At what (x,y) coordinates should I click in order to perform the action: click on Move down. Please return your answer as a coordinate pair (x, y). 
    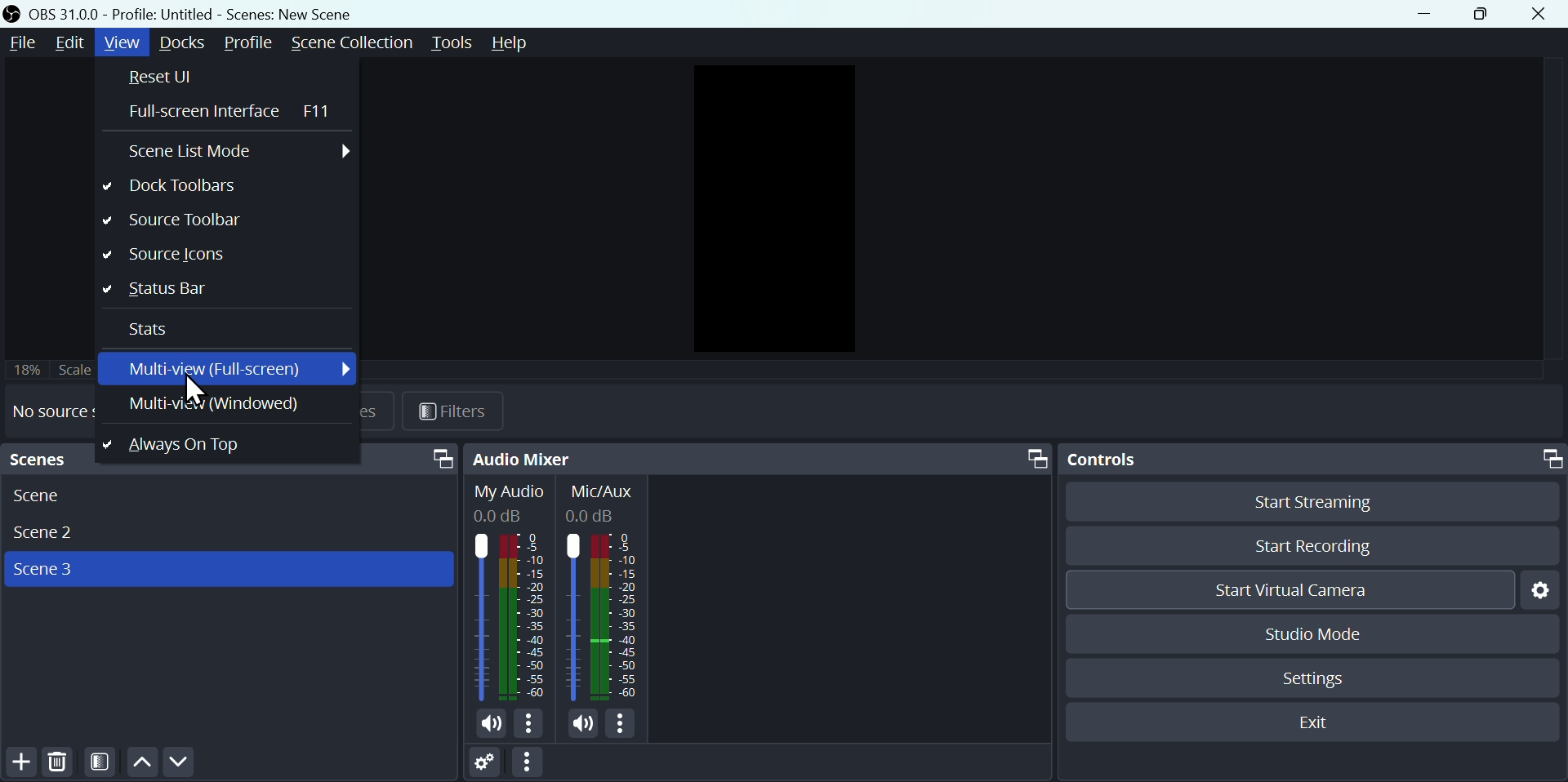
    Looking at the image, I should click on (177, 763).